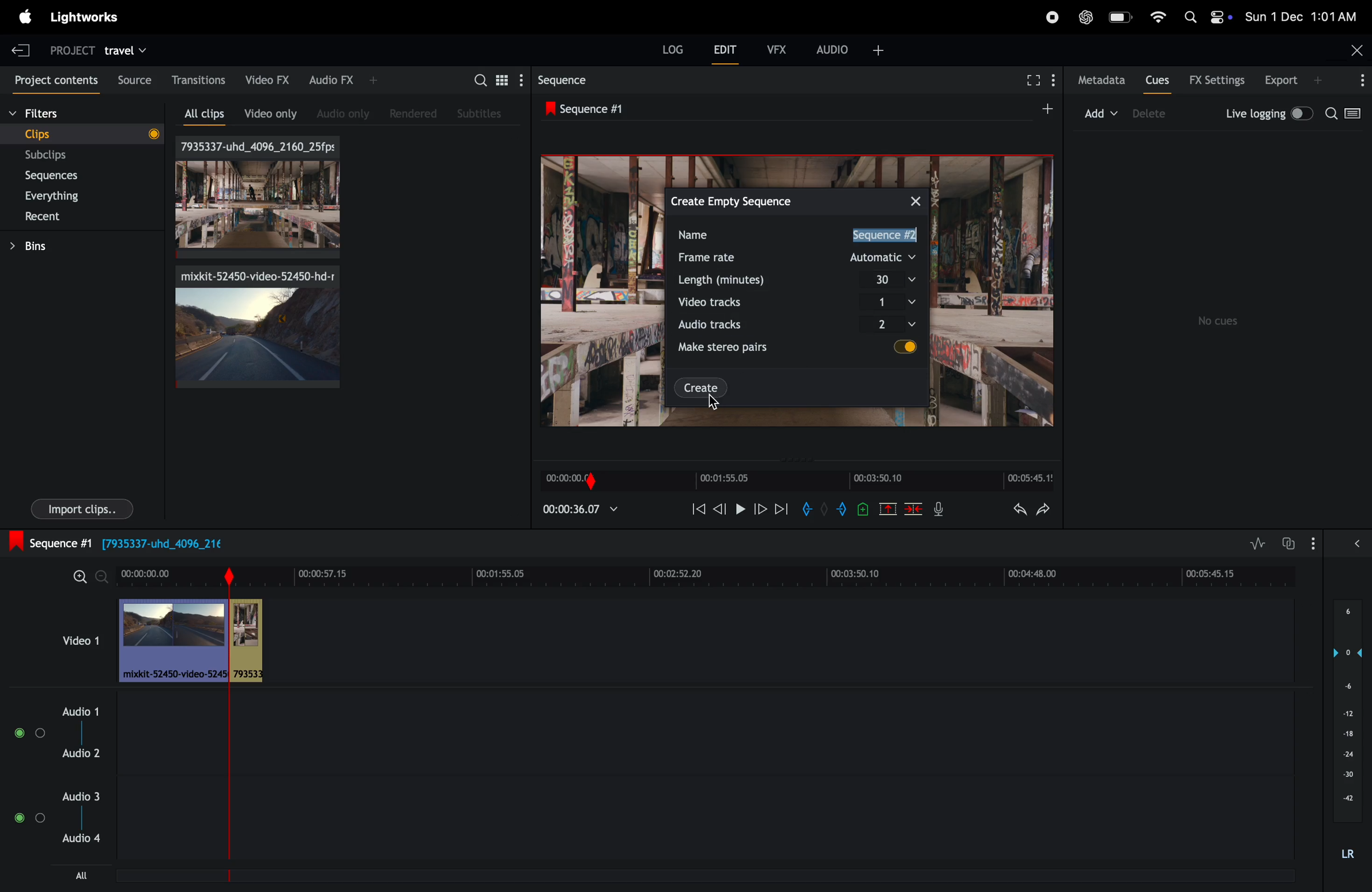 This screenshot has width=1372, height=892. Describe the element at coordinates (520, 80) in the screenshot. I see `show settings menu` at that location.